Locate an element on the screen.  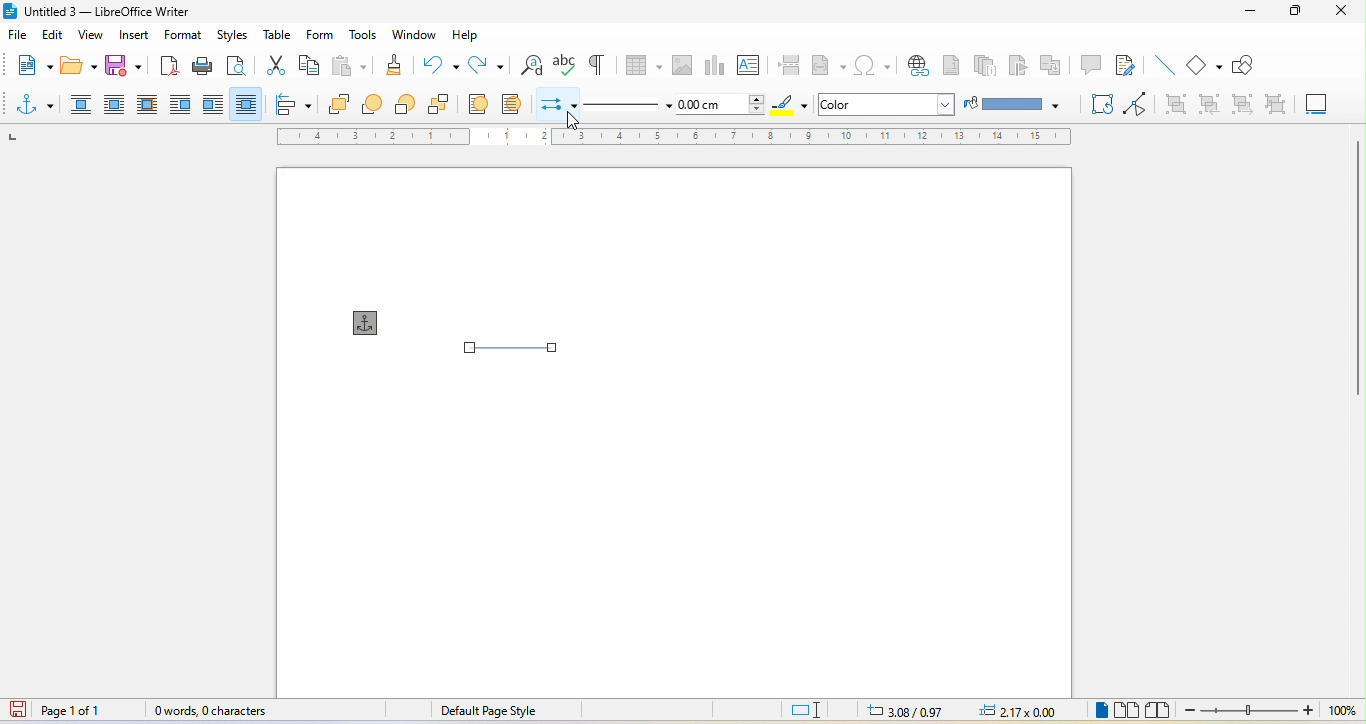
bookmark is located at coordinates (1015, 62).